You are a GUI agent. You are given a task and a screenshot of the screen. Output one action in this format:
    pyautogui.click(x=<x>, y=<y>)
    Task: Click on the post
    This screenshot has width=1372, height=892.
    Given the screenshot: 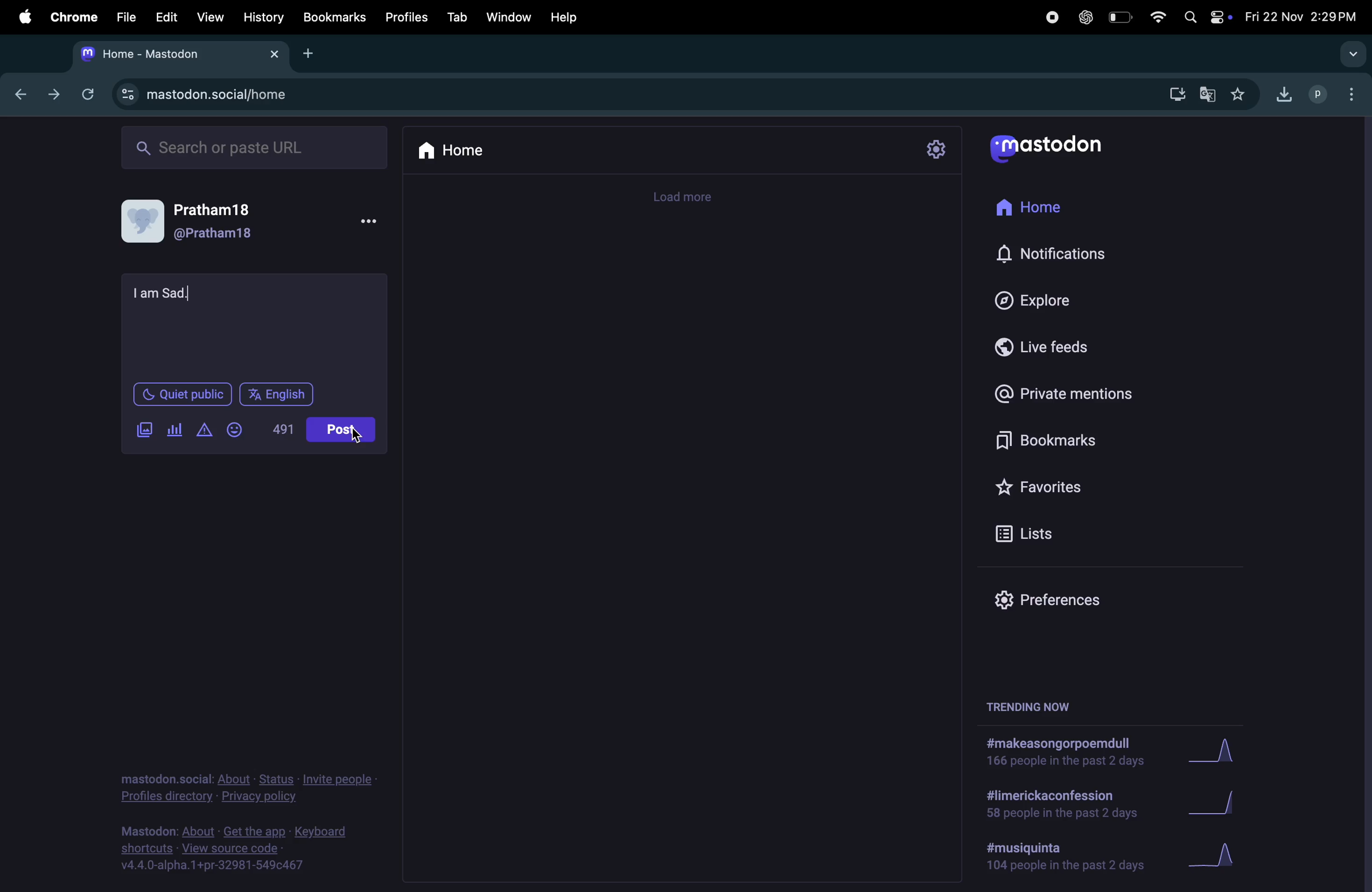 What is the action you would take?
    pyautogui.click(x=342, y=429)
    